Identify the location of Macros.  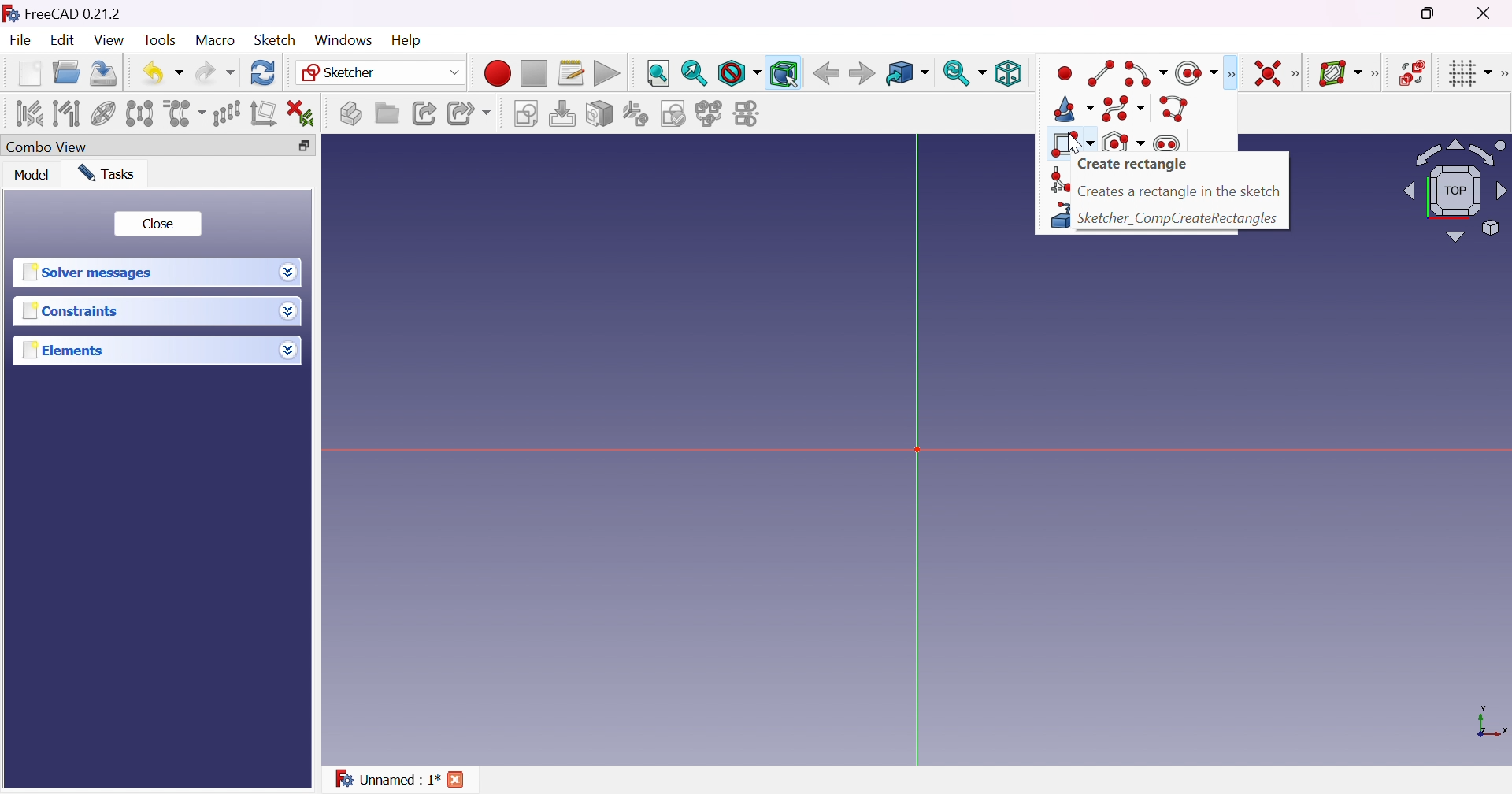
(572, 72).